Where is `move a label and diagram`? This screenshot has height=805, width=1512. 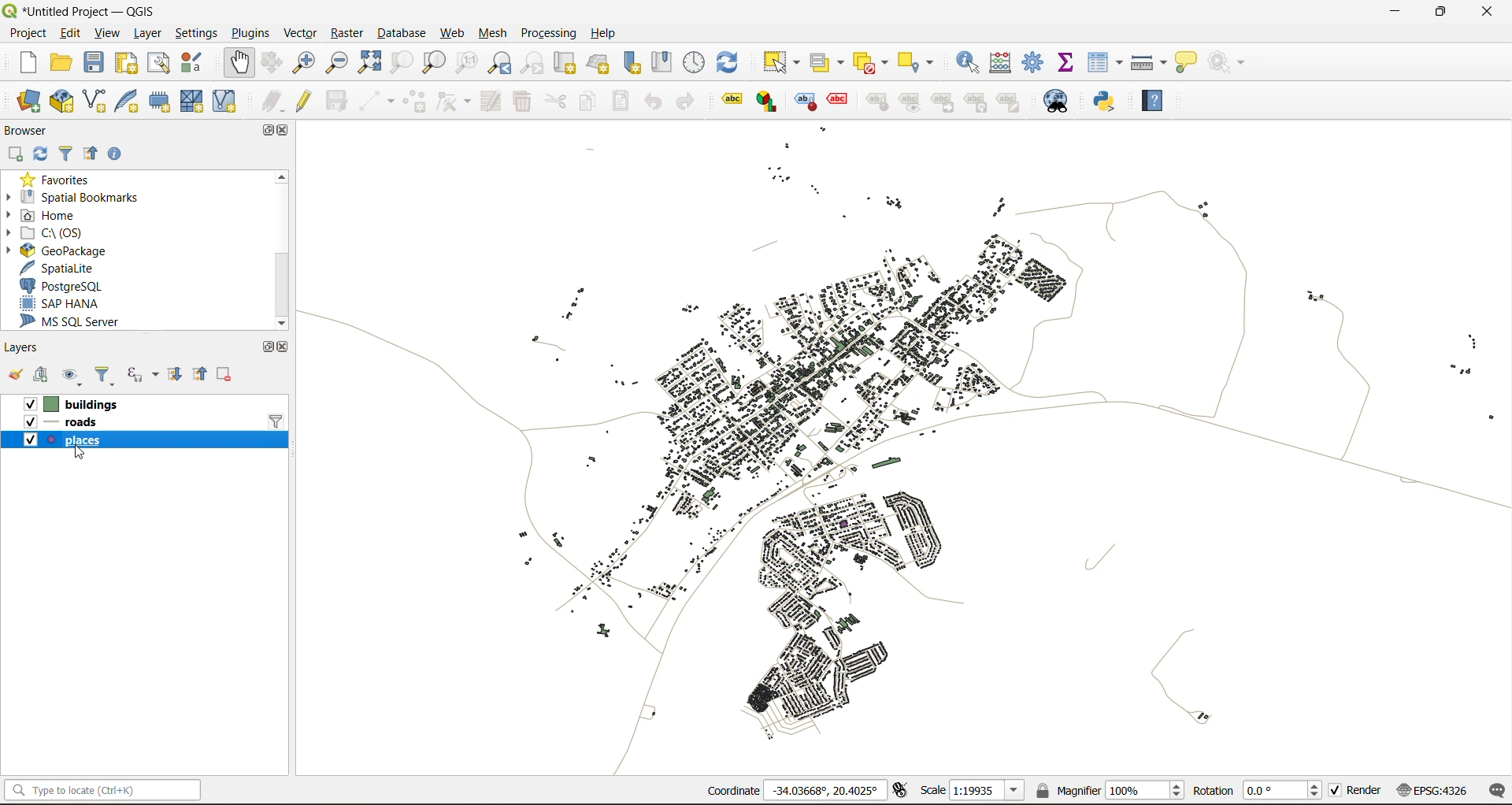
move a label and diagram is located at coordinates (943, 102).